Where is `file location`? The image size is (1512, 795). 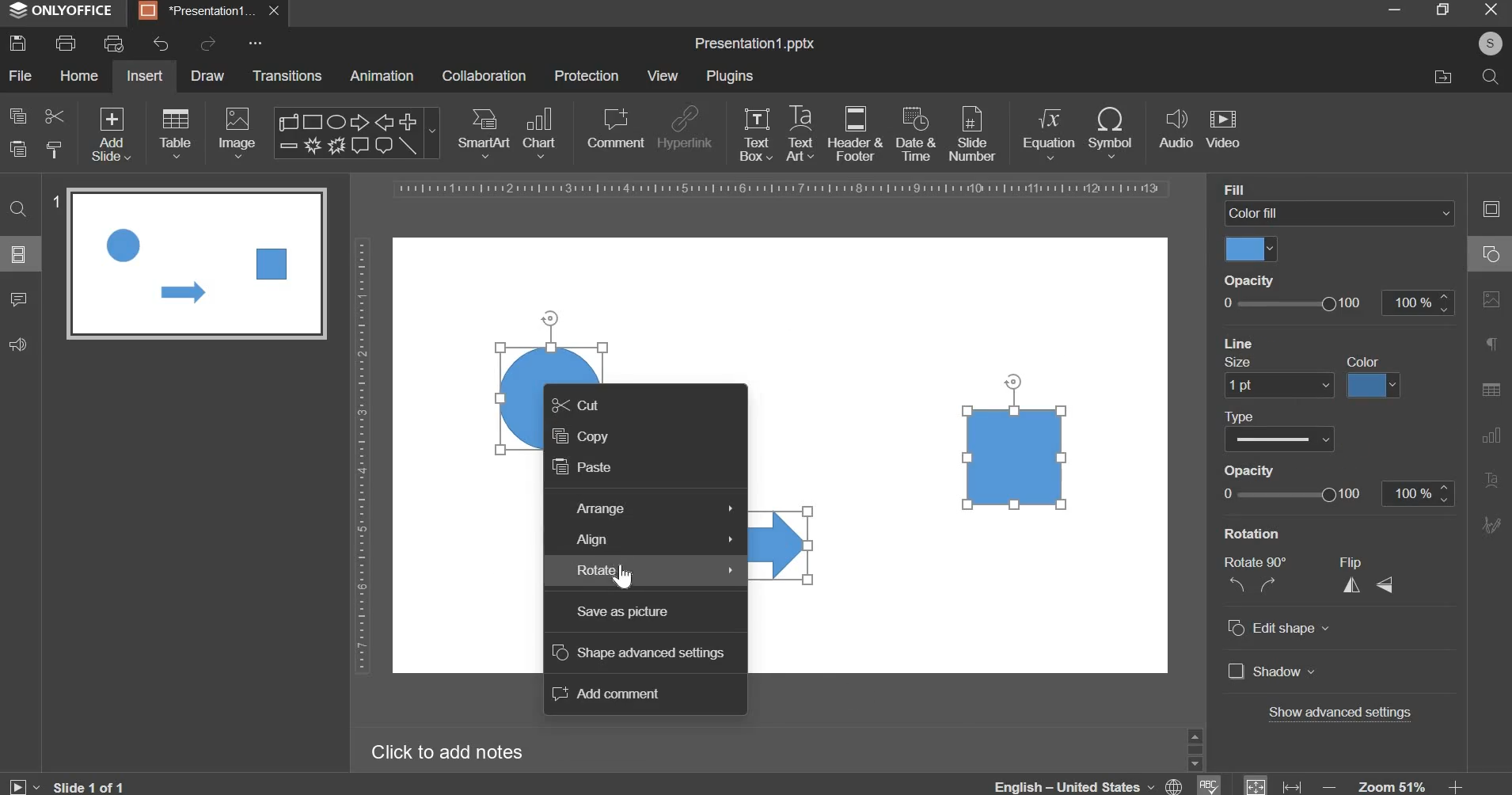 file location is located at coordinates (1442, 77).